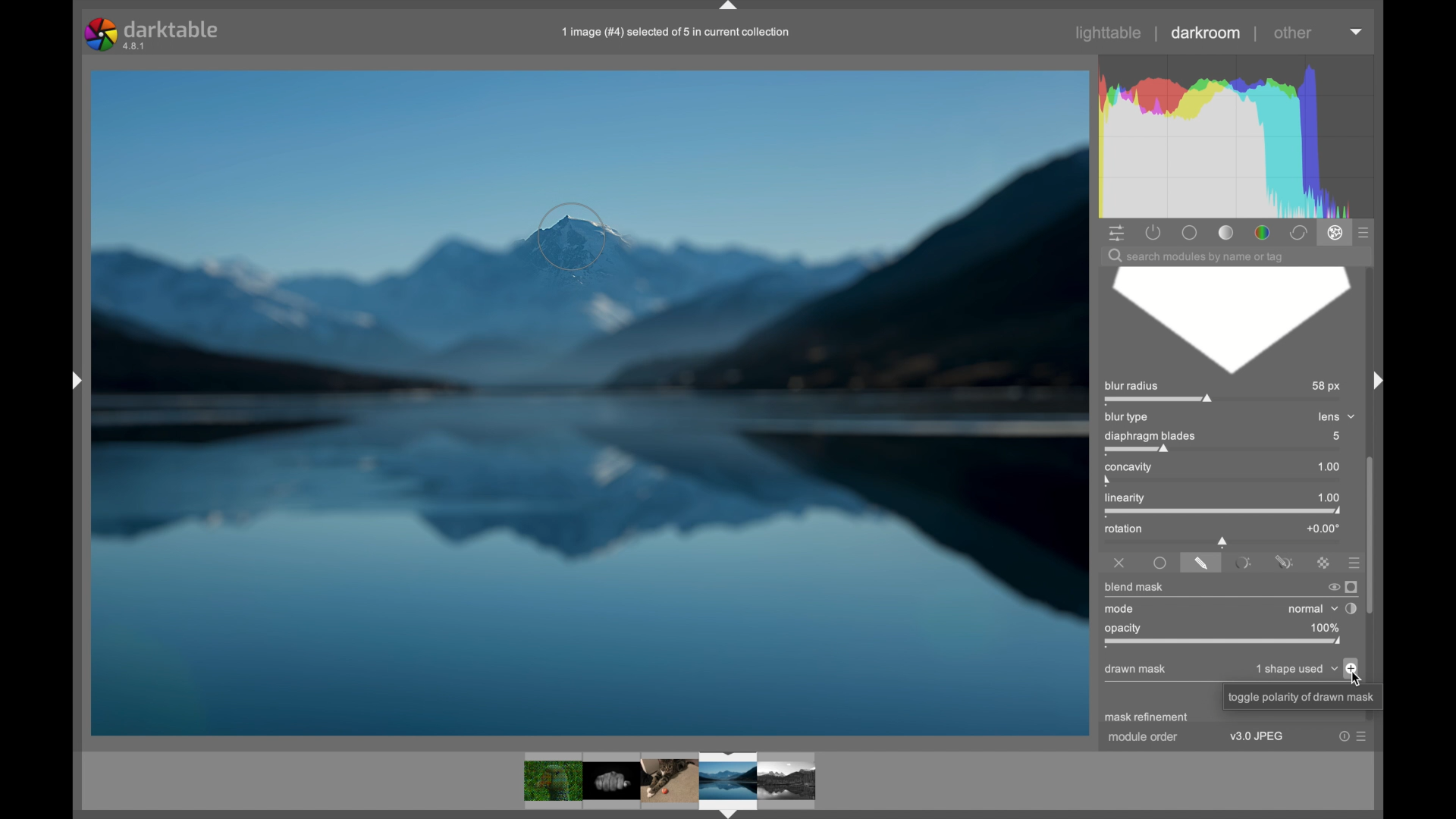 This screenshot has width=1456, height=819. What do you see at coordinates (1228, 322) in the screenshot?
I see `blur diaphragm blade` at bounding box center [1228, 322].